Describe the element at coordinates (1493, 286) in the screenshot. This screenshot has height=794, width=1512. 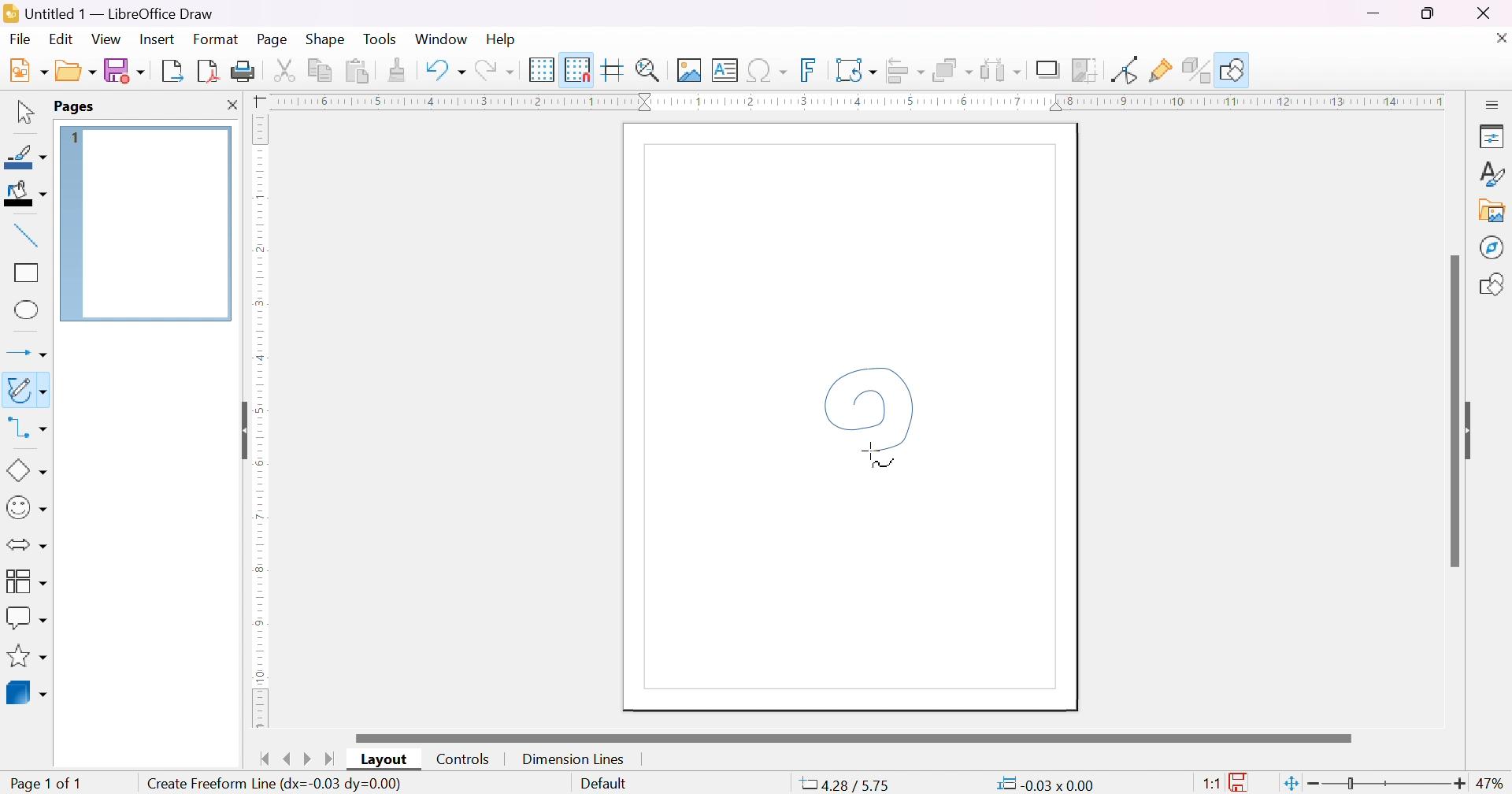
I see `shapes` at that location.